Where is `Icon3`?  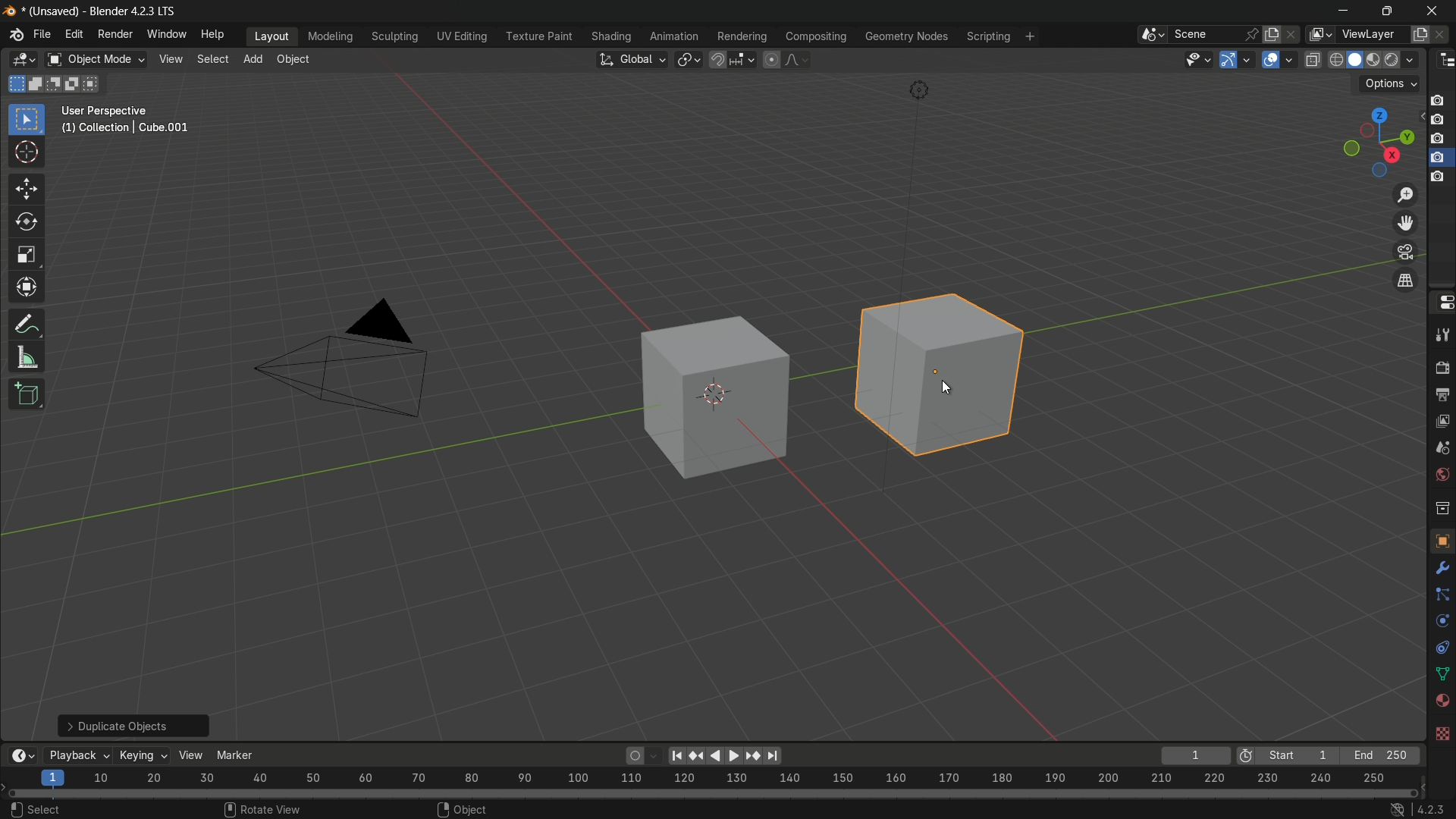
Icon3 is located at coordinates (1441, 140).